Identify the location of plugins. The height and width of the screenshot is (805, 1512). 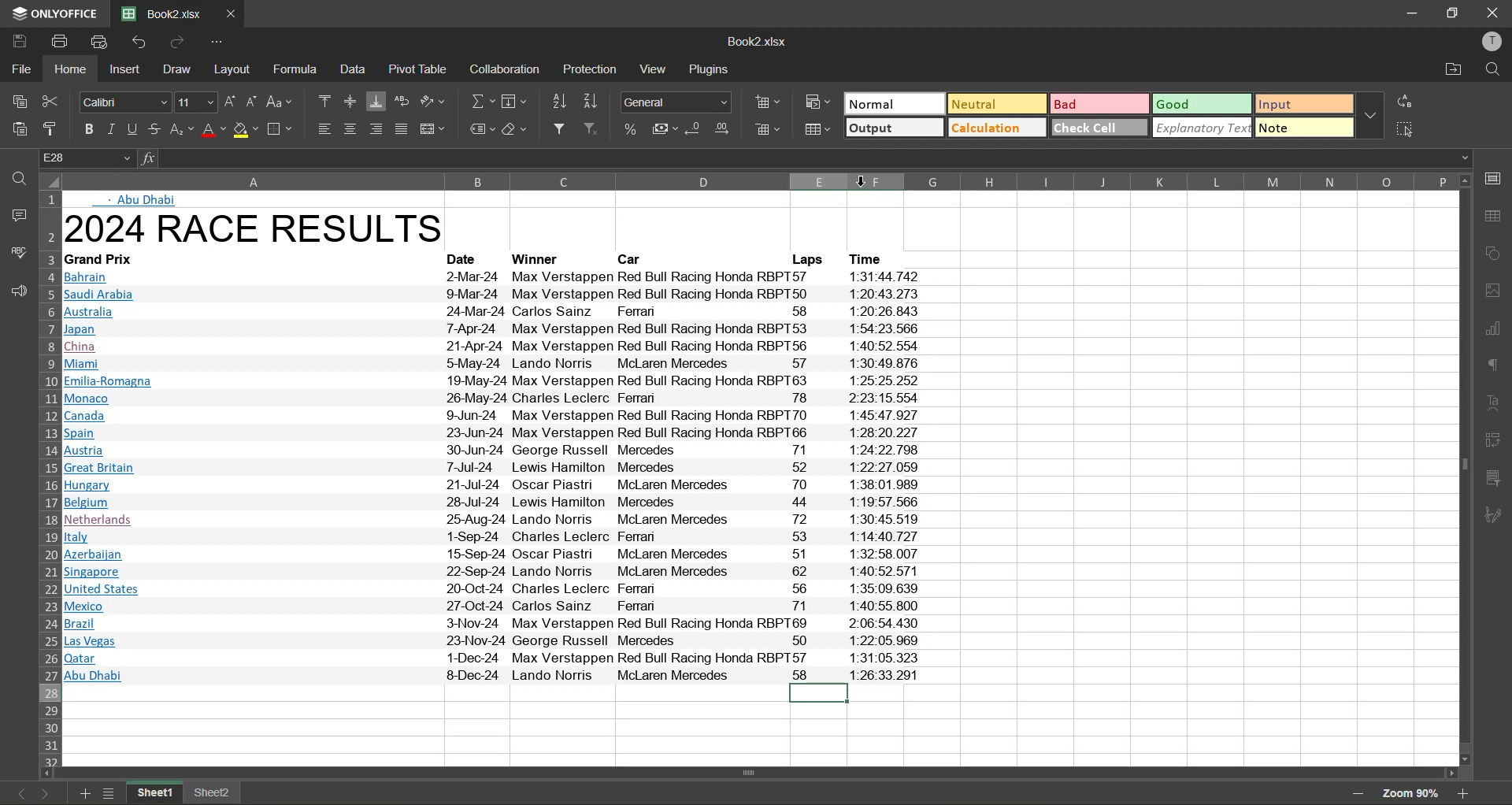
(709, 69).